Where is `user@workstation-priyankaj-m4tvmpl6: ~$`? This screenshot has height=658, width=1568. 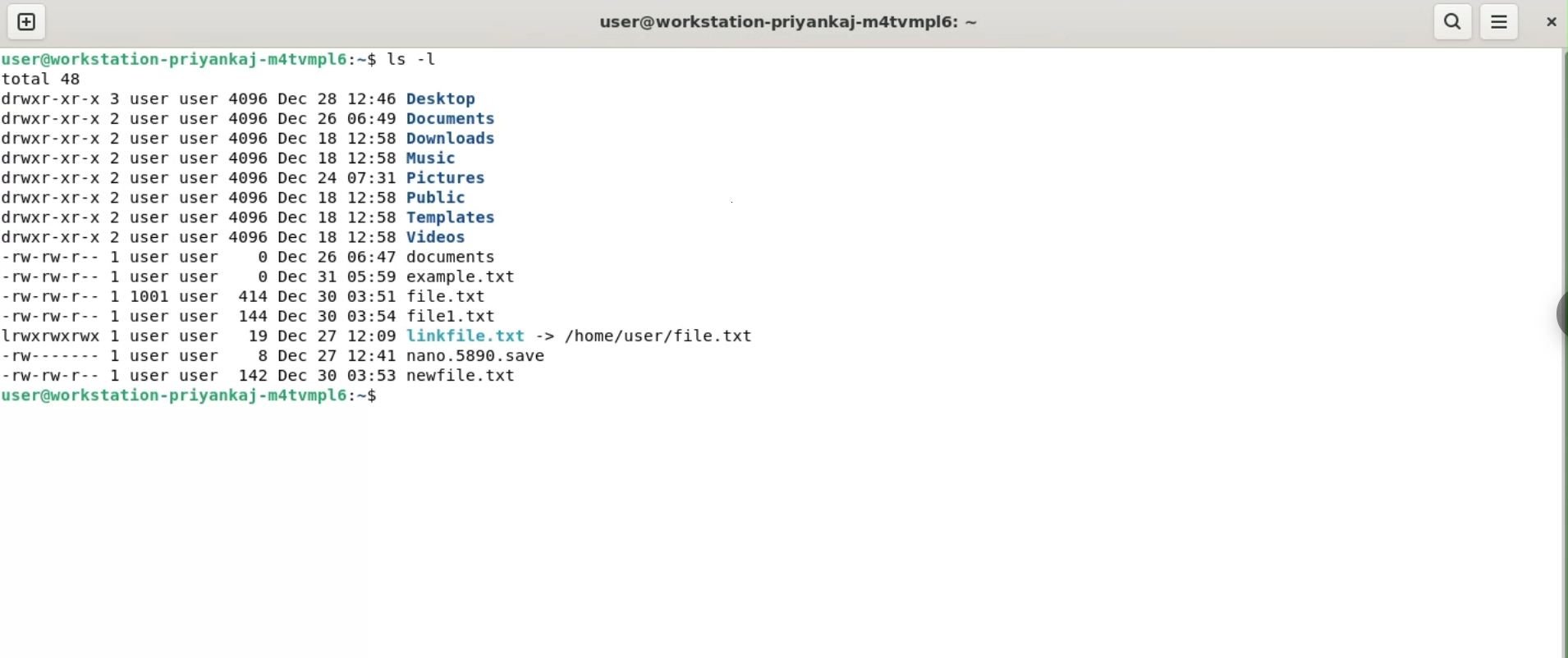 user@workstation-priyankaj-m4tvmpl6: ~$ is located at coordinates (190, 58).